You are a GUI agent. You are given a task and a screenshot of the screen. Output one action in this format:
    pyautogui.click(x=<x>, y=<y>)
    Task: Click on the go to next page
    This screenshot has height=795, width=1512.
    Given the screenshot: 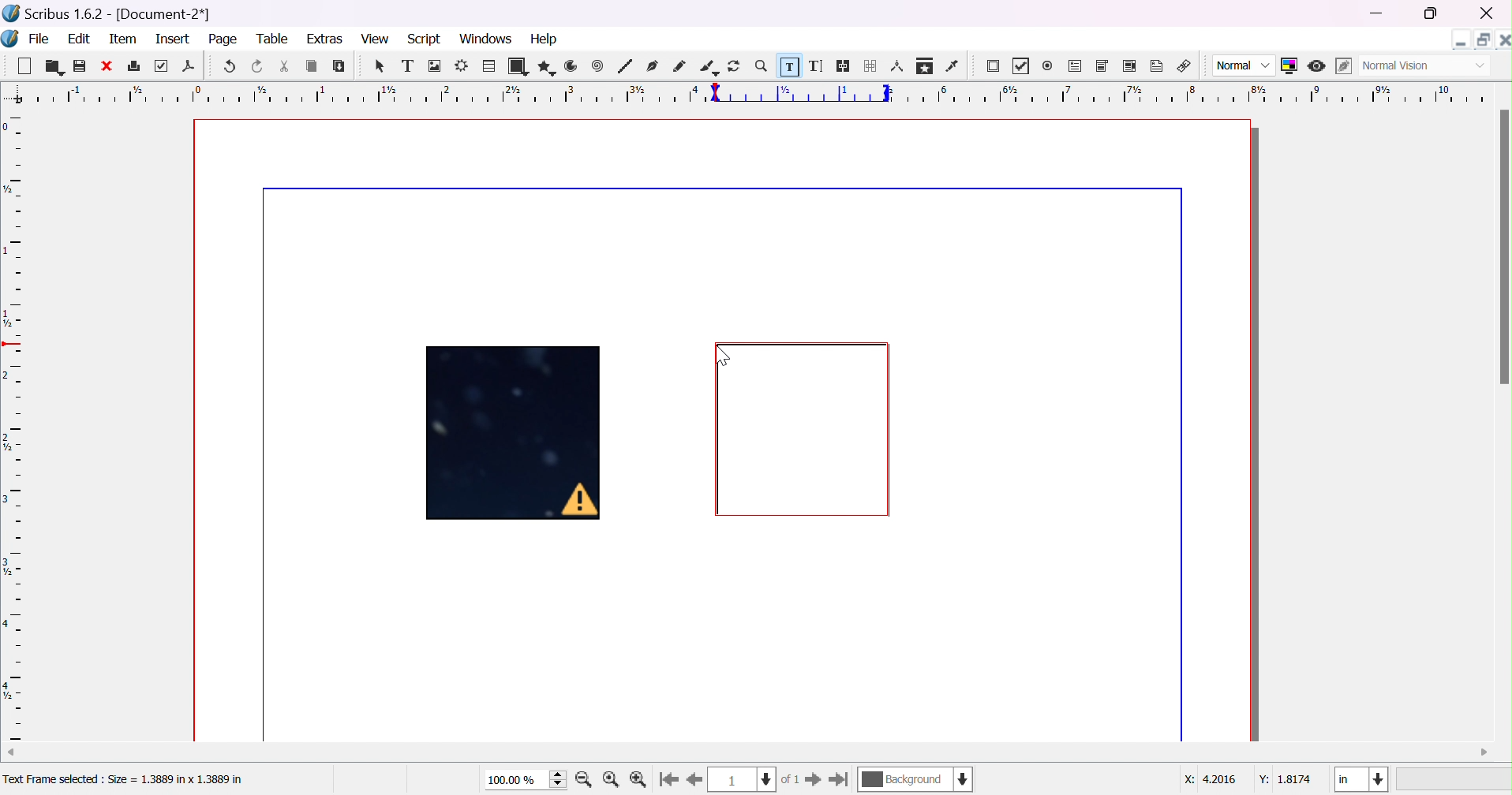 What is the action you would take?
    pyautogui.click(x=812, y=779)
    